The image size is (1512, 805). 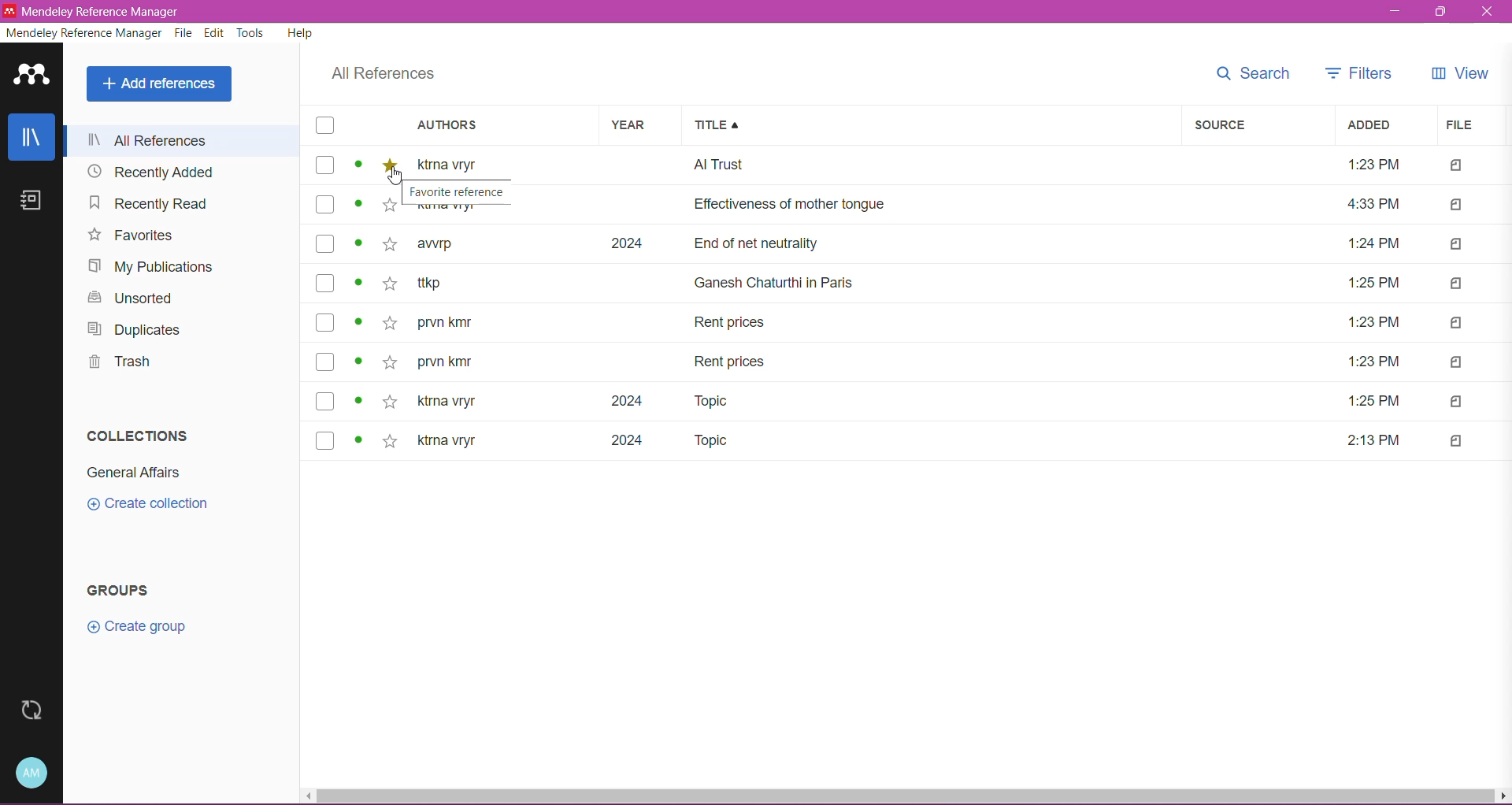 I want to click on Add to favorite, so click(x=390, y=442).